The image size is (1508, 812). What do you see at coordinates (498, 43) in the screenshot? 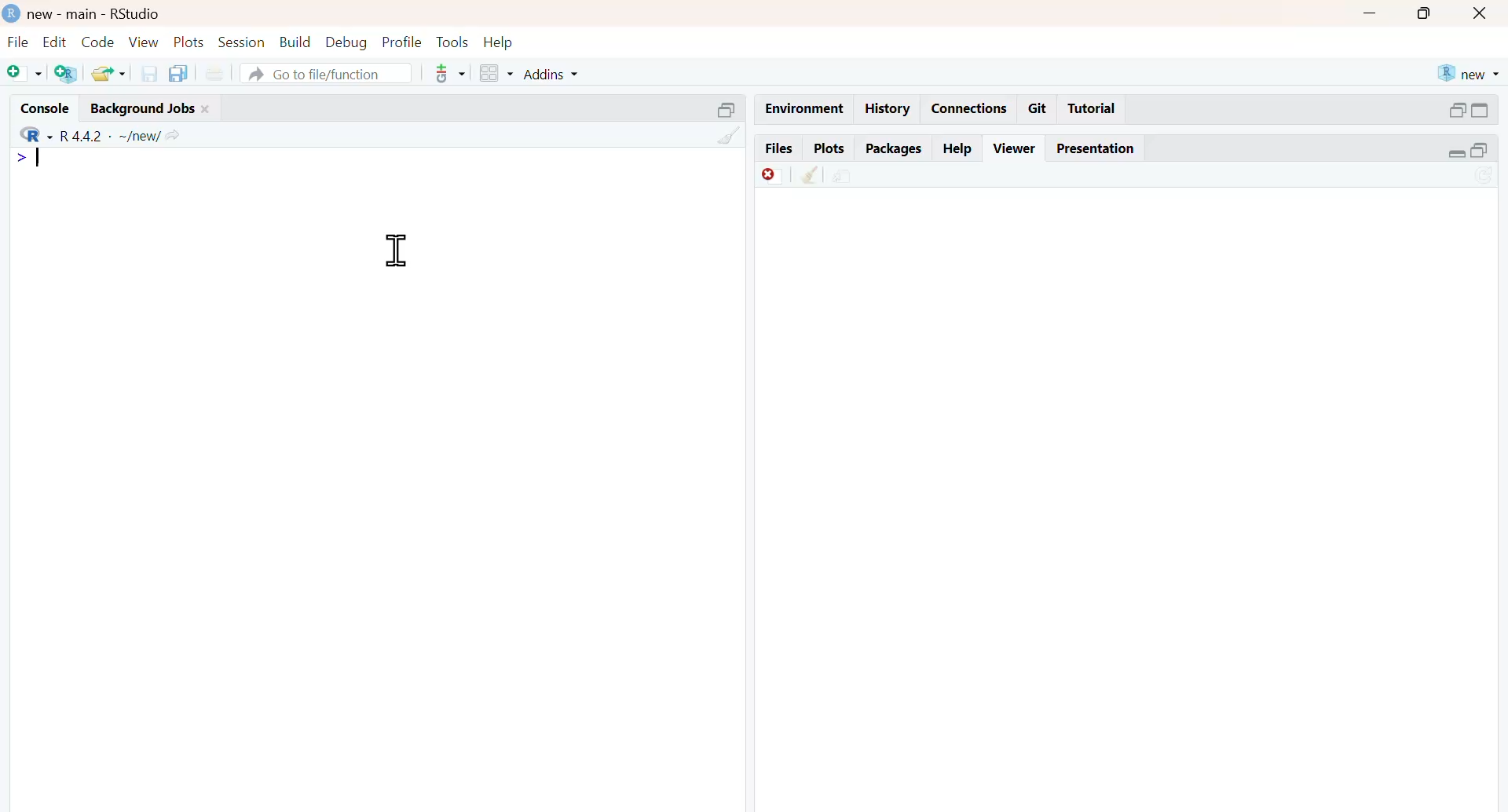
I see `help` at bounding box center [498, 43].